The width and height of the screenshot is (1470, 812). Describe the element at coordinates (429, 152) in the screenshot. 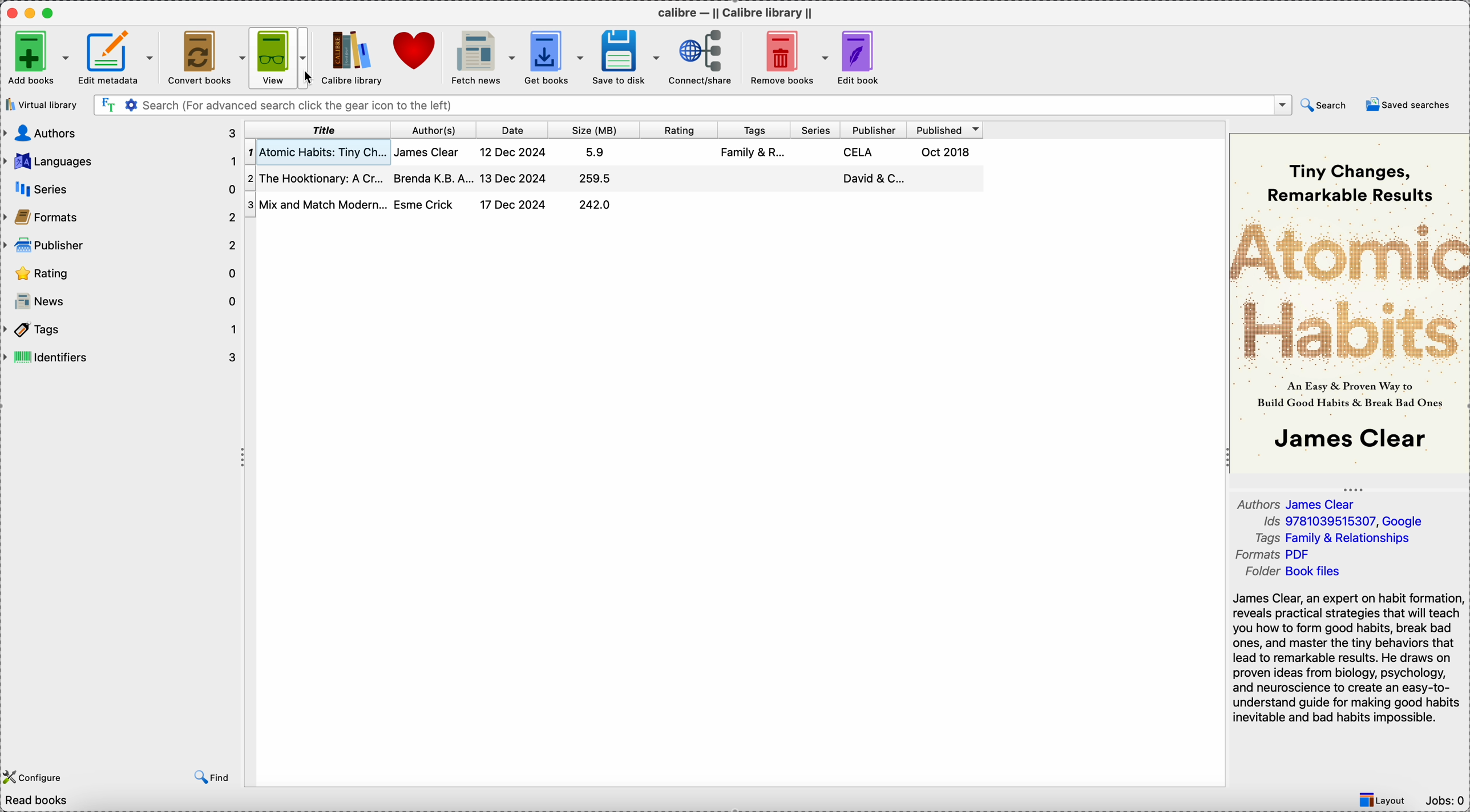

I see `James Clear` at that location.